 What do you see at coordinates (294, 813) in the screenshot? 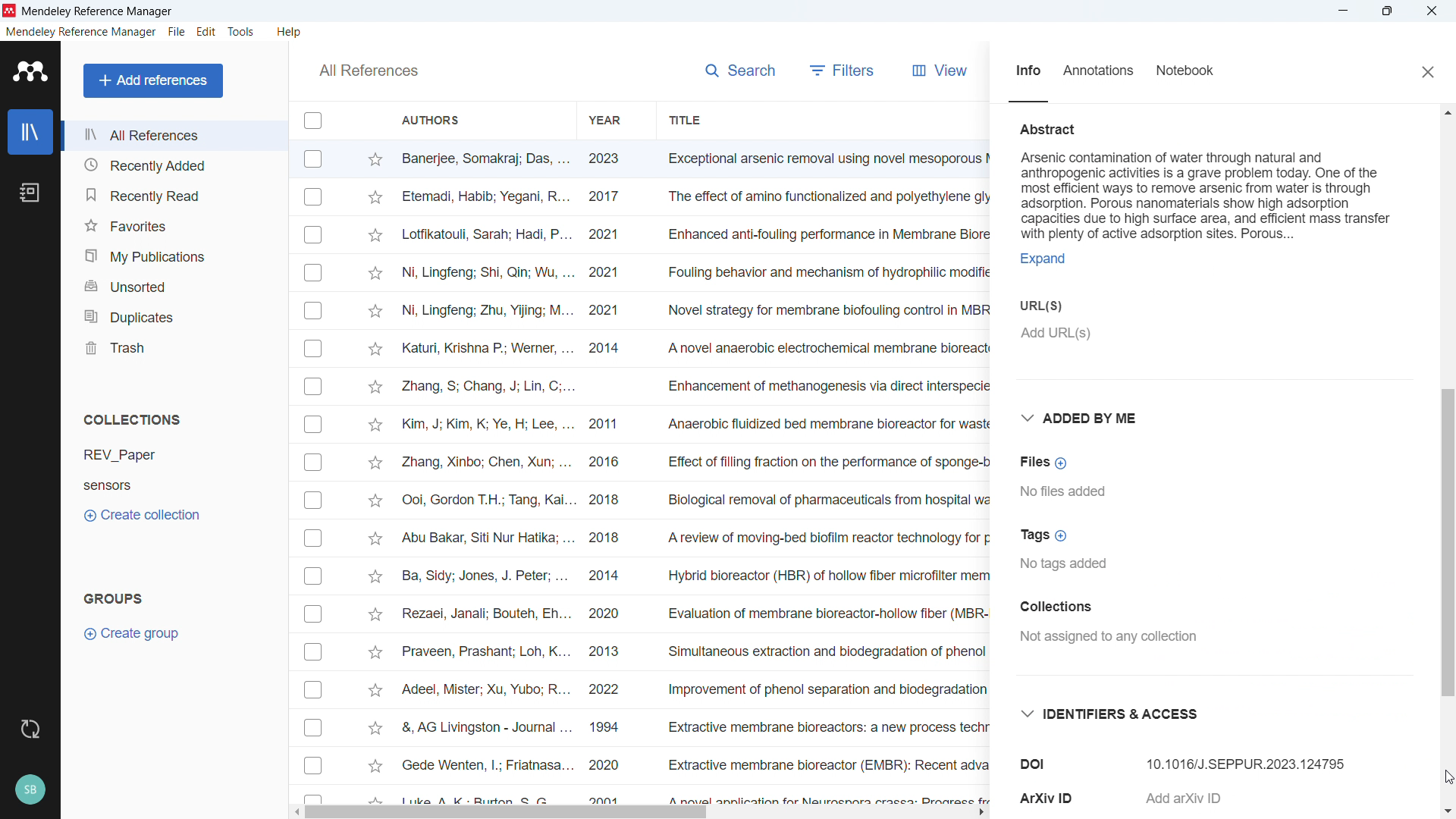
I see `Scroll left ` at bounding box center [294, 813].